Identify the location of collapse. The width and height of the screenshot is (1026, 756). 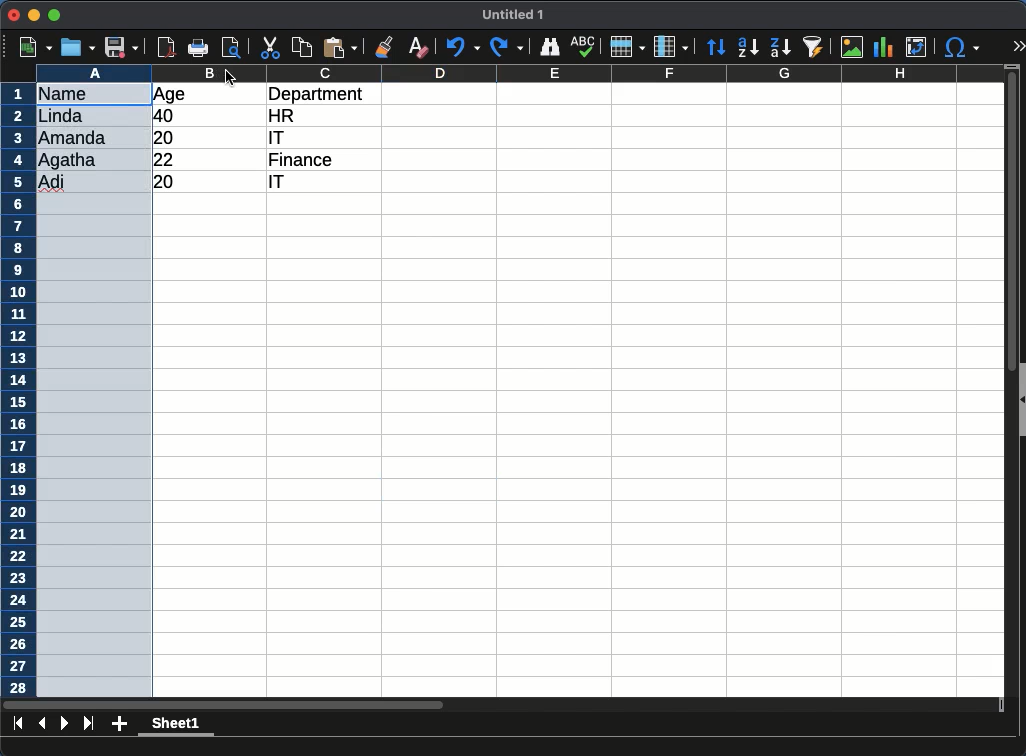
(1020, 398).